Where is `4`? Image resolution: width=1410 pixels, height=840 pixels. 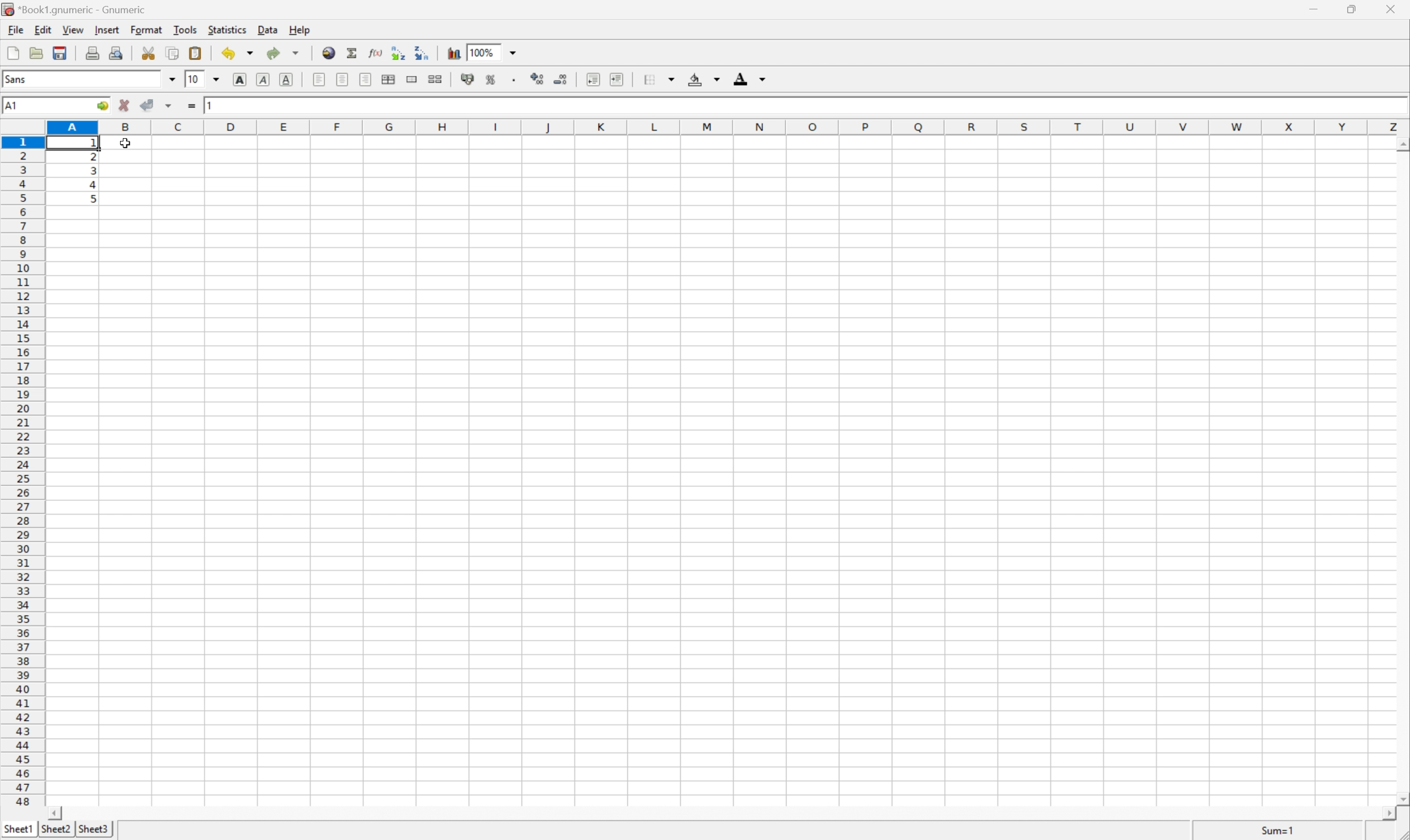
4 is located at coordinates (95, 185).